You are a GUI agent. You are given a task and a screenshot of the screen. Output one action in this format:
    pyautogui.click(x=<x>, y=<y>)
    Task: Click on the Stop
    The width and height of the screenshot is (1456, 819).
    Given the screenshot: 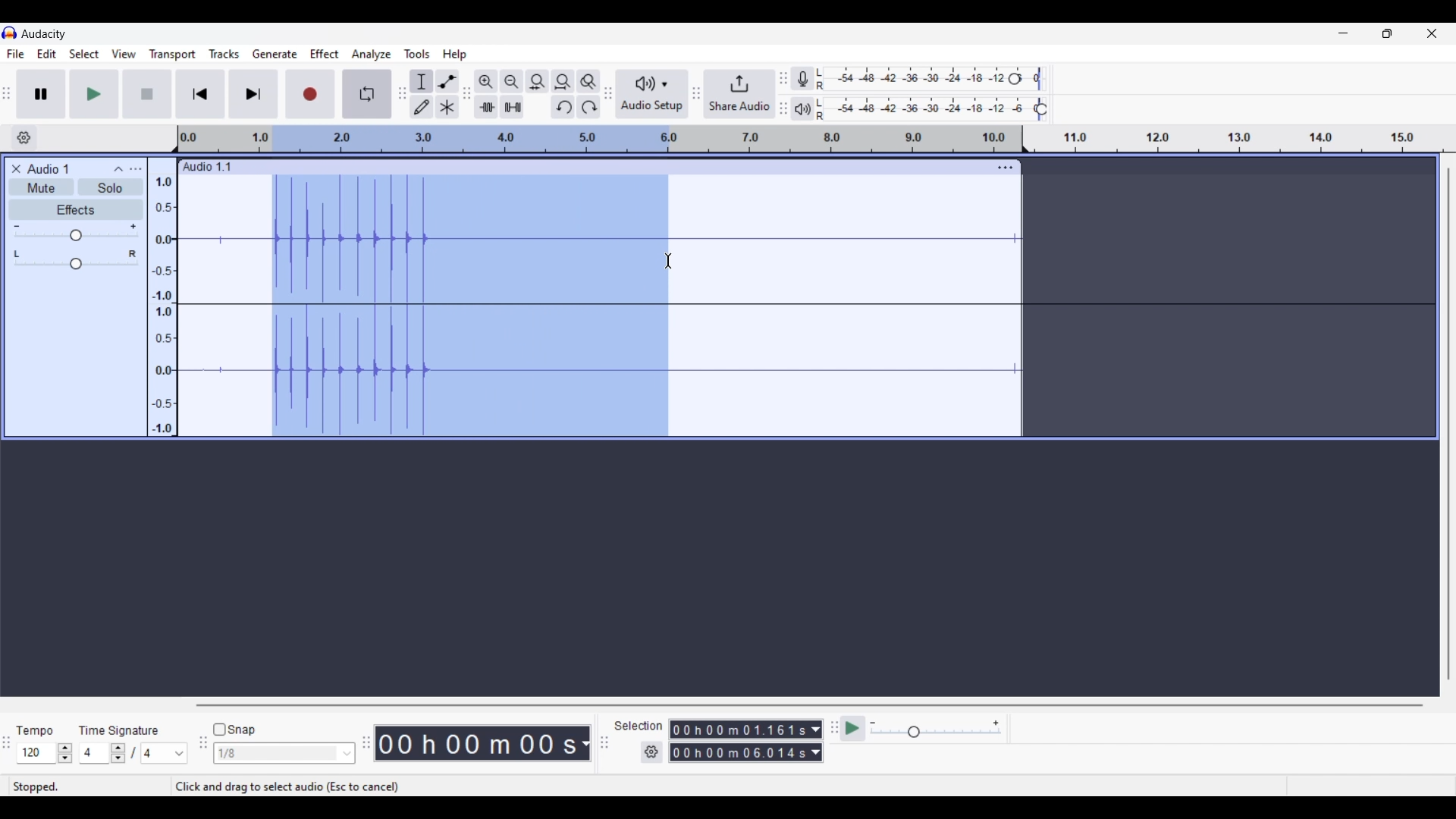 What is the action you would take?
    pyautogui.click(x=148, y=94)
    